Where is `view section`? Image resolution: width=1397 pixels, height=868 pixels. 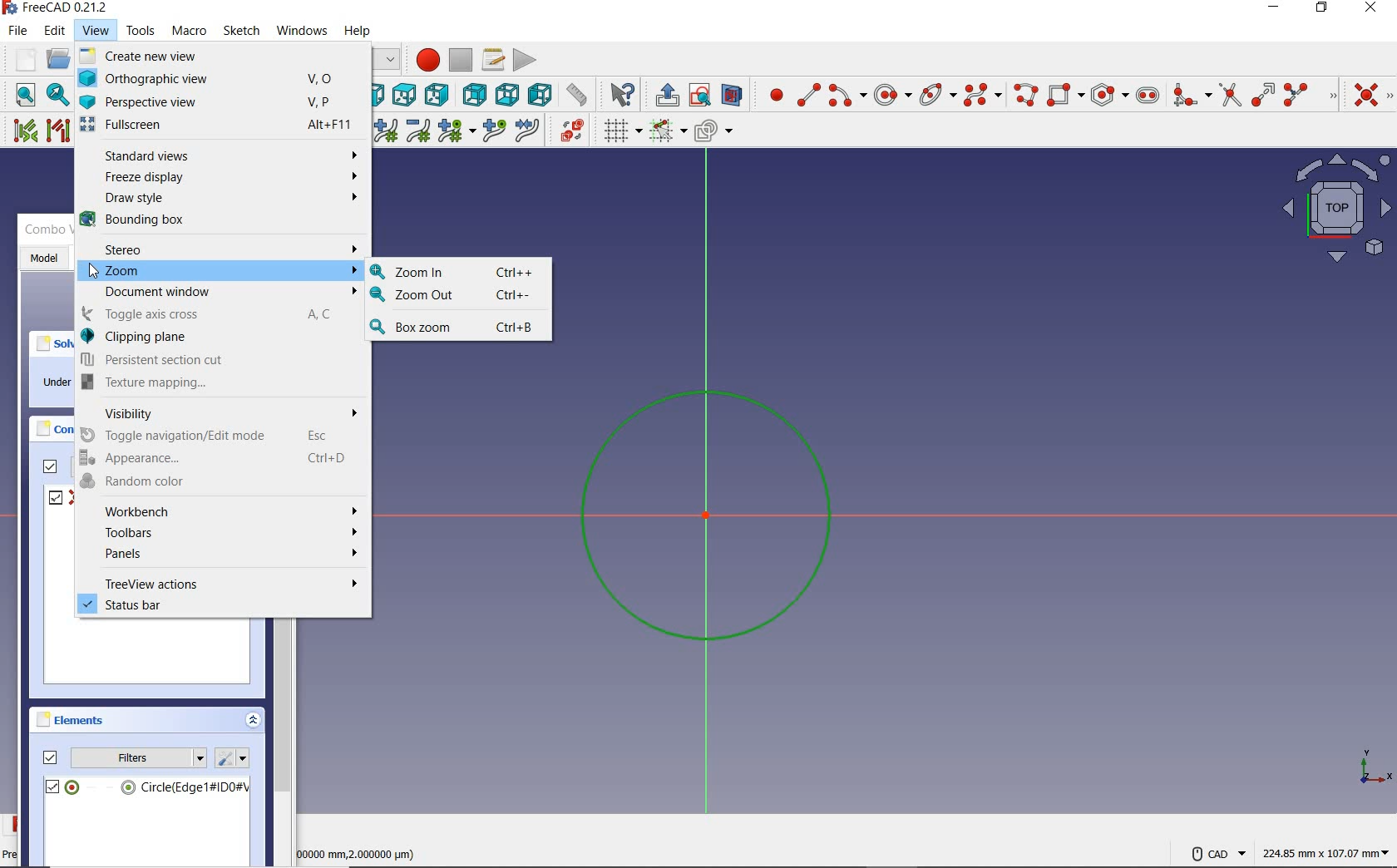
view section is located at coordinates (732, 94).